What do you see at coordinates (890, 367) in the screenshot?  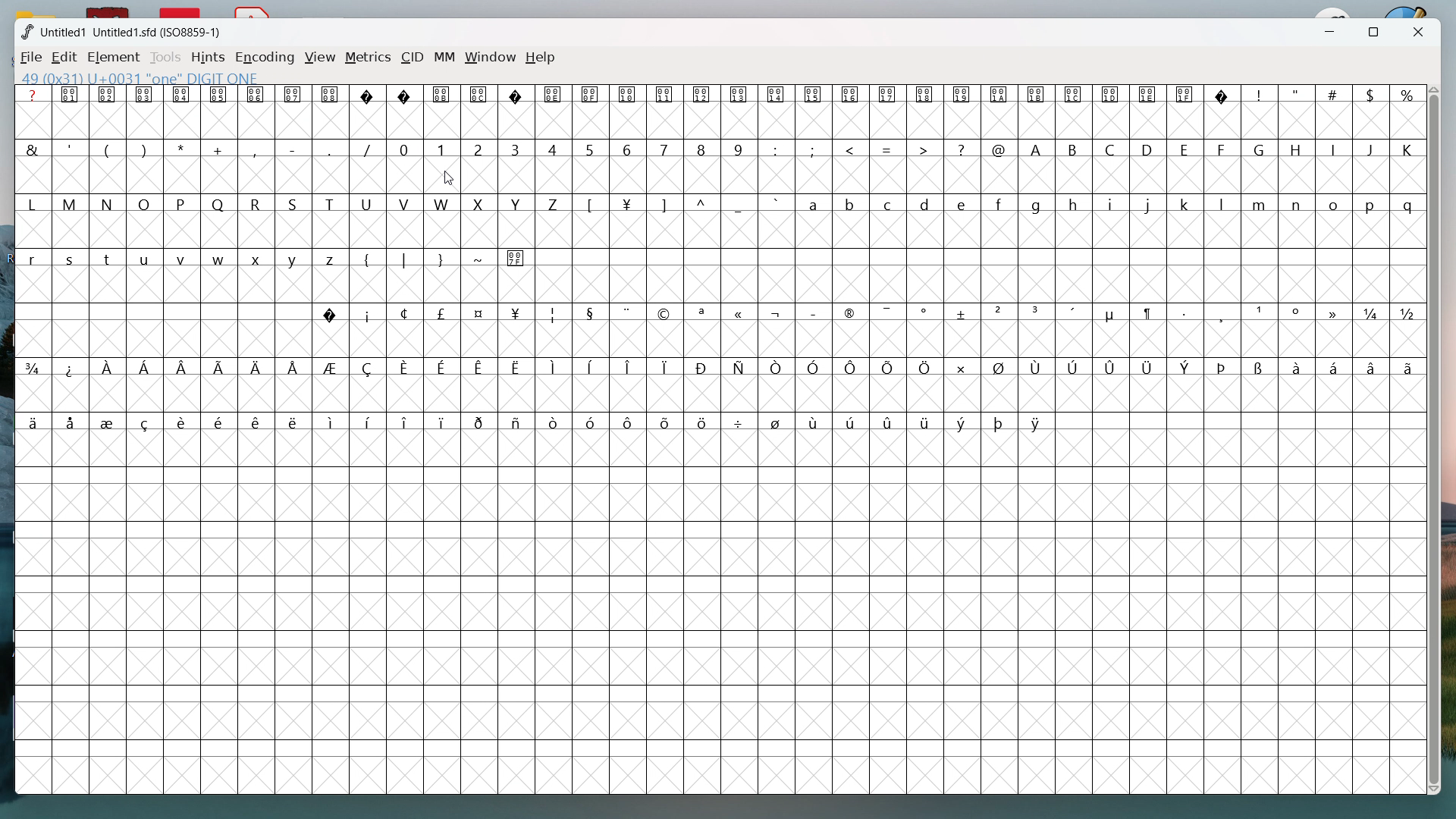 I see `symbol` at bounding box center [890, 367].